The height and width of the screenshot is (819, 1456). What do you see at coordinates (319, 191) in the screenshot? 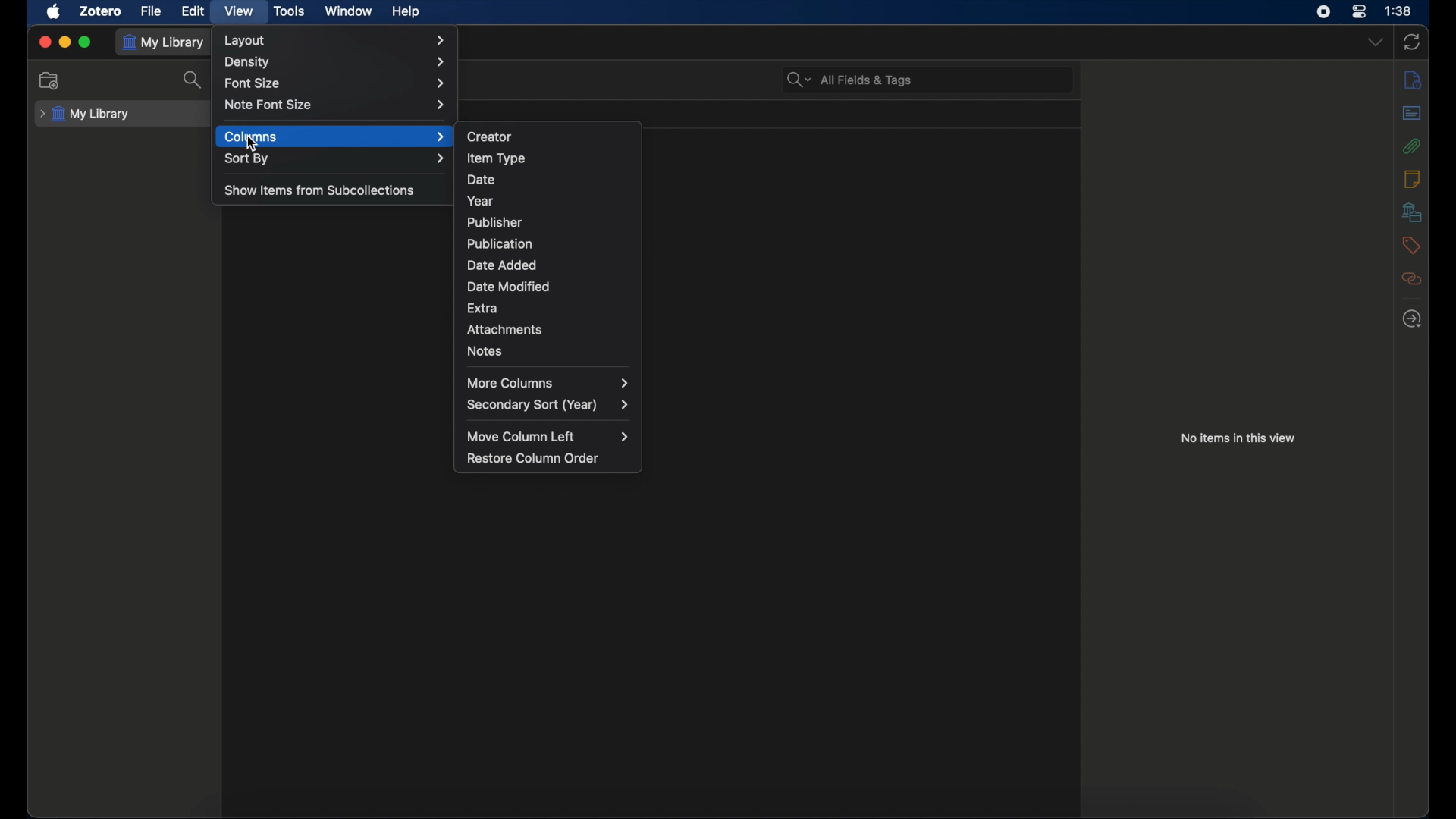
I see `show items for subcollection` at bounding box center [319, 191].